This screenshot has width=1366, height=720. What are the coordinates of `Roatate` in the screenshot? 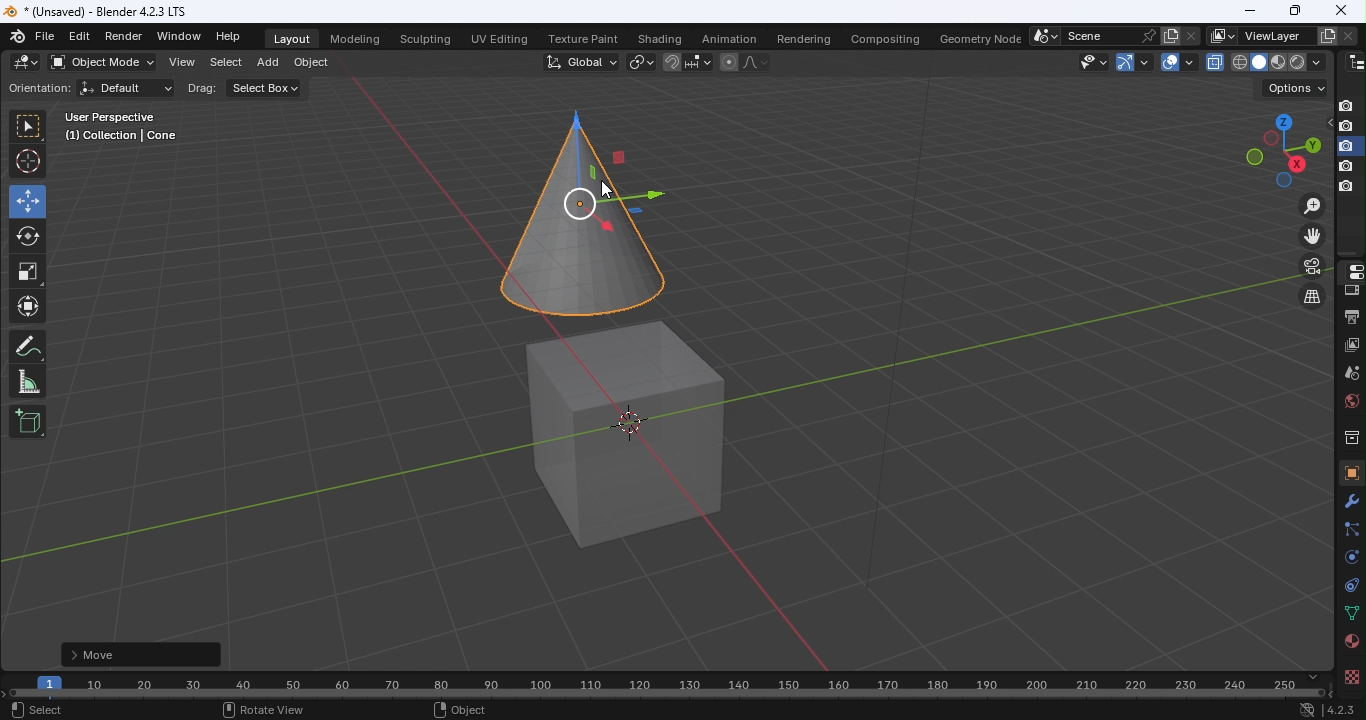 It's located at (28, 234).